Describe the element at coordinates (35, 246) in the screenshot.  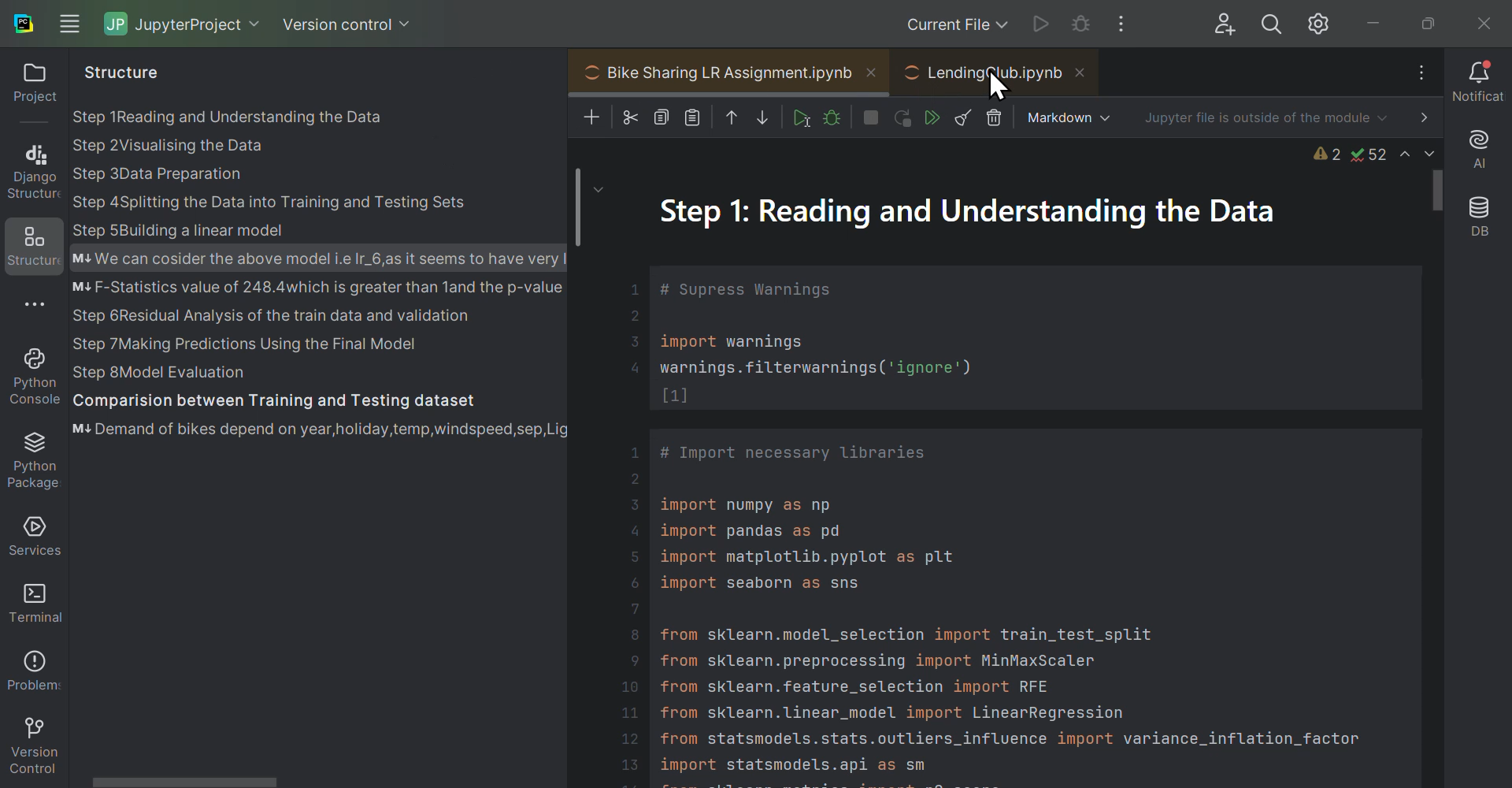
I see `Structures` at that location.